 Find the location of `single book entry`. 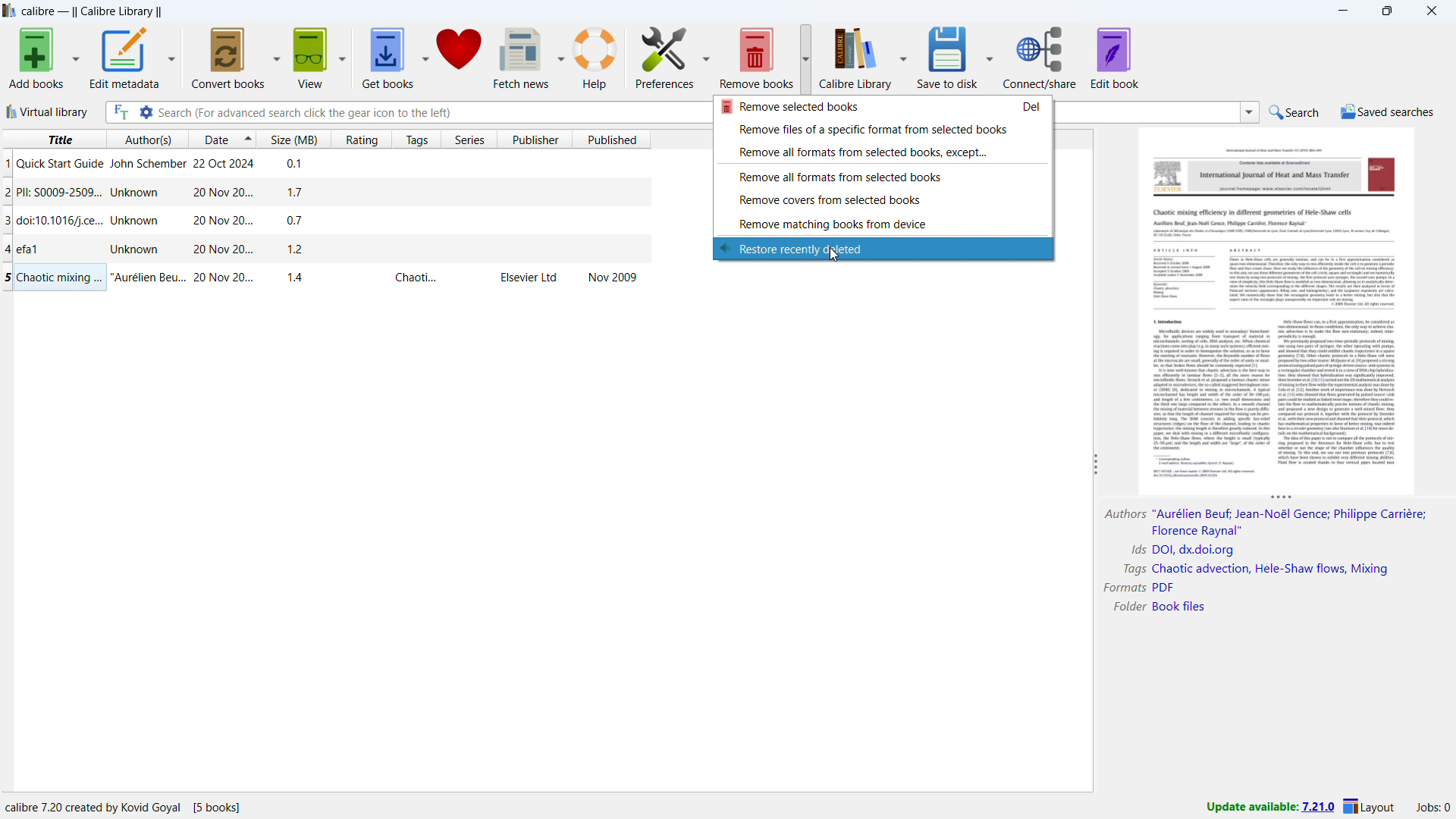

single book entry is located at coordinates (327, 278).